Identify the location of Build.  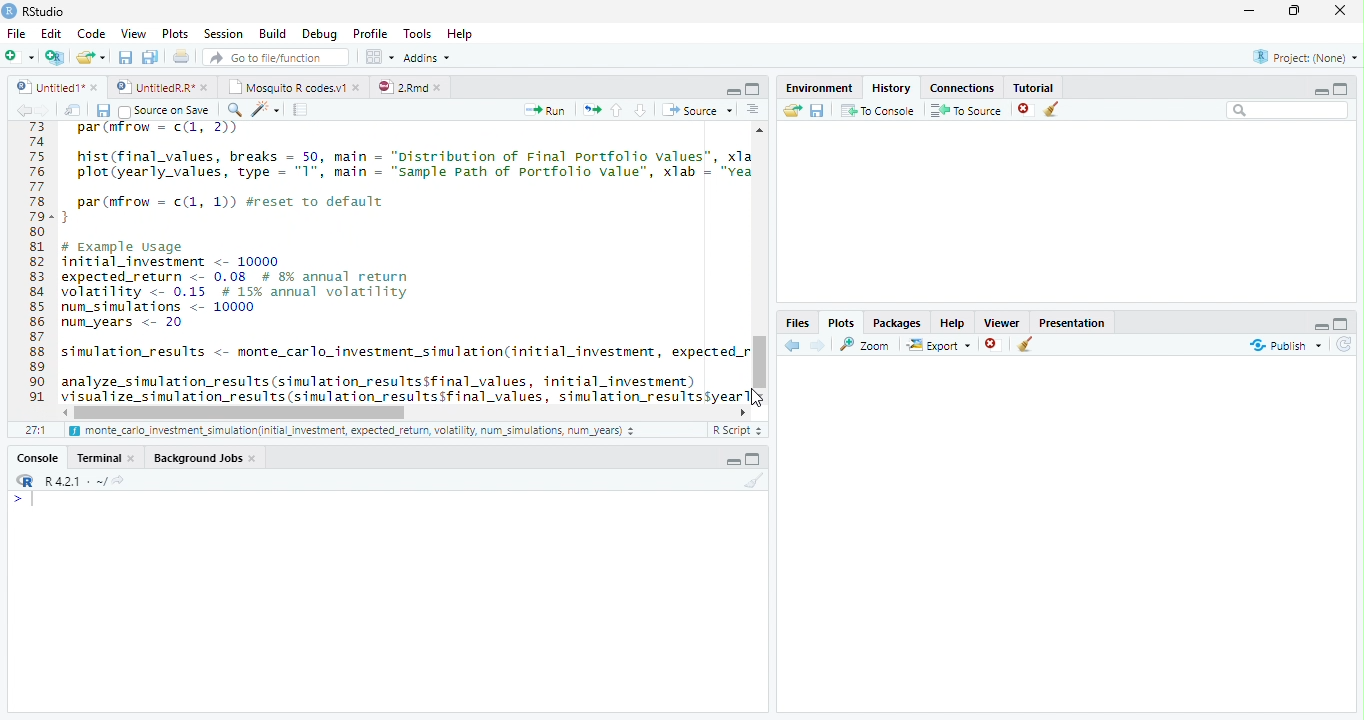
(273, 34).